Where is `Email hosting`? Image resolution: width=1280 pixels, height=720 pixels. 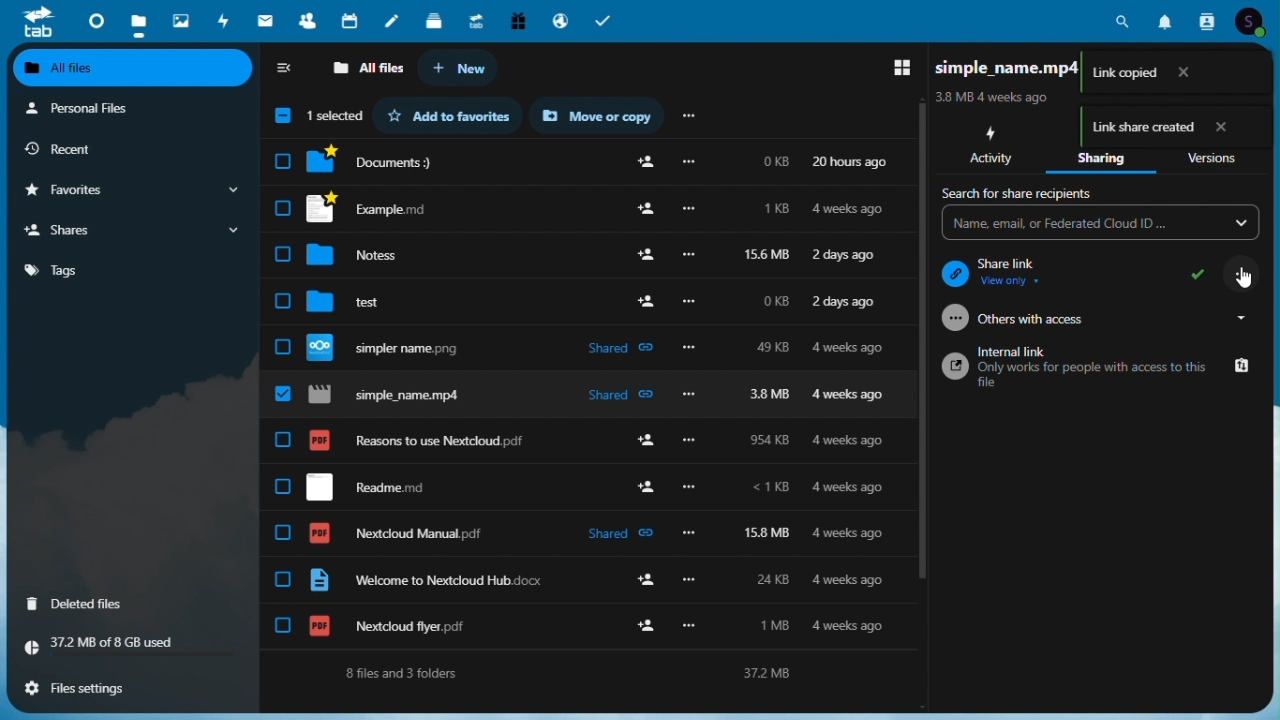
Email hosting is located at coordinates (559, 20).